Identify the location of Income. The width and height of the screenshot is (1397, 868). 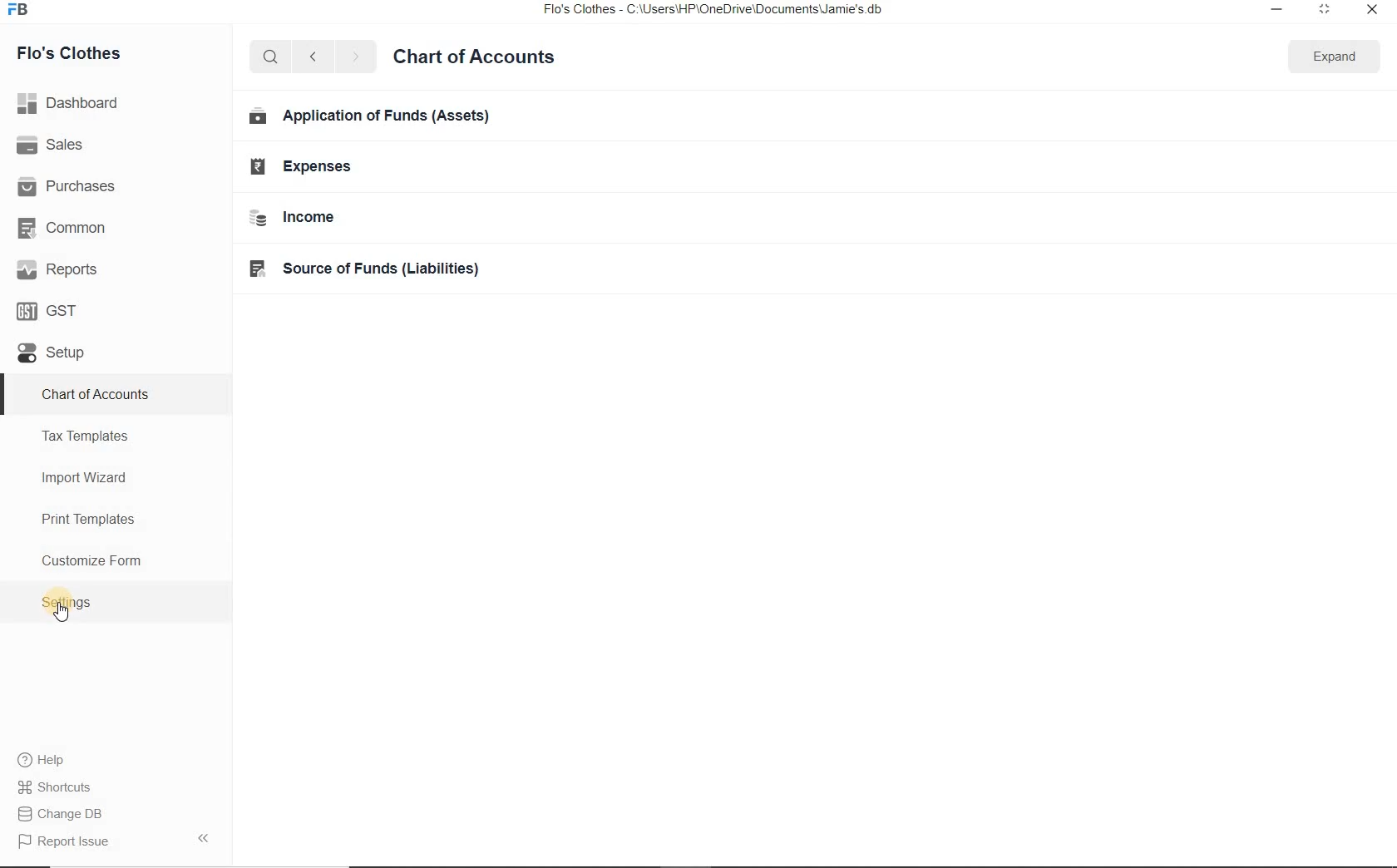
(295, 218).